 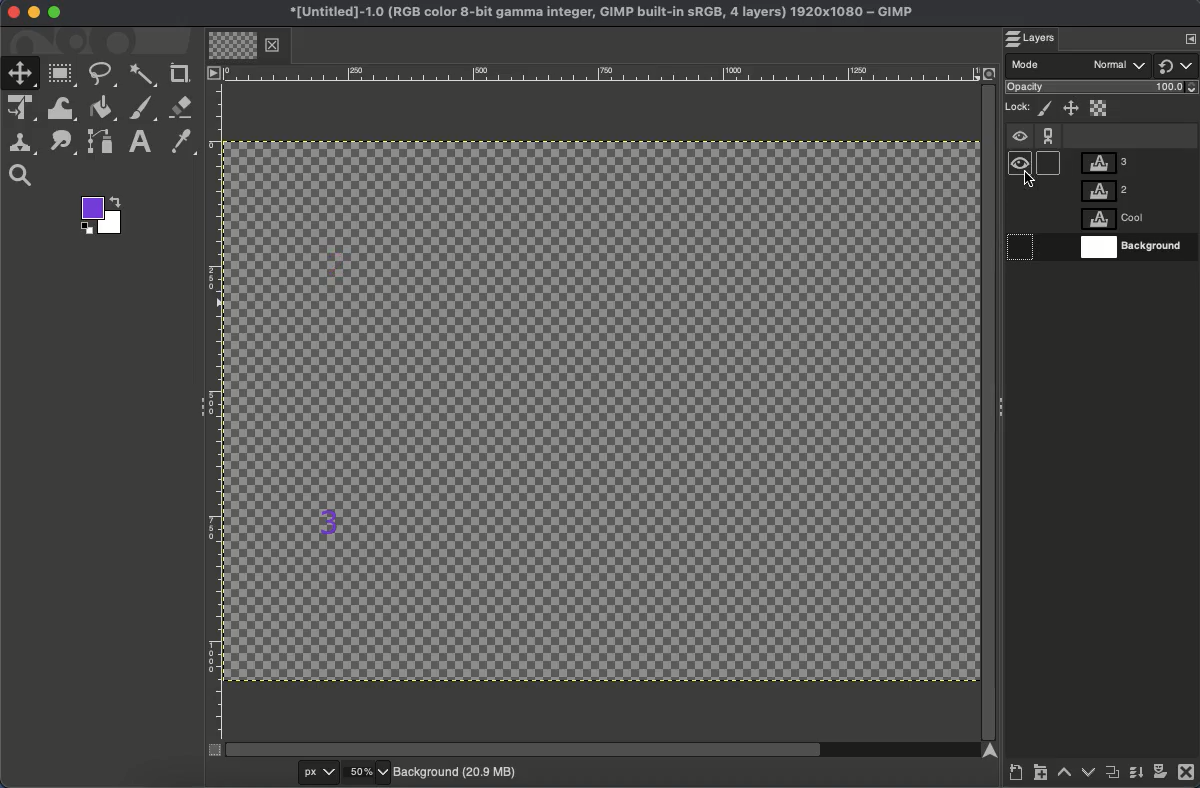 I want to click on Opacity, so click(x=1104, y=89).